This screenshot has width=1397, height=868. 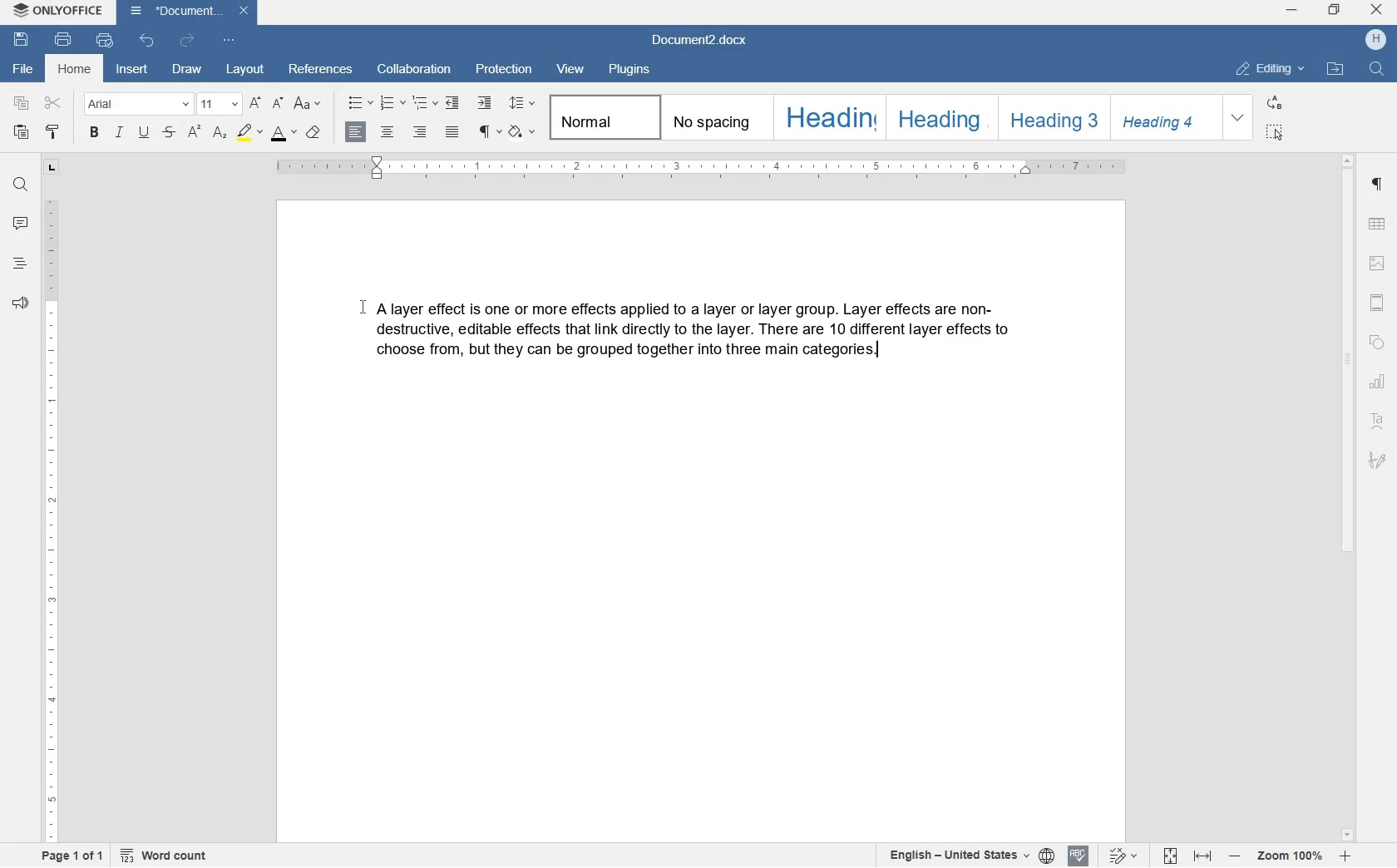 What do you see at coordinates (1378, 224) in the screenshot?
I see `table` at bounding box center [1378, 224].